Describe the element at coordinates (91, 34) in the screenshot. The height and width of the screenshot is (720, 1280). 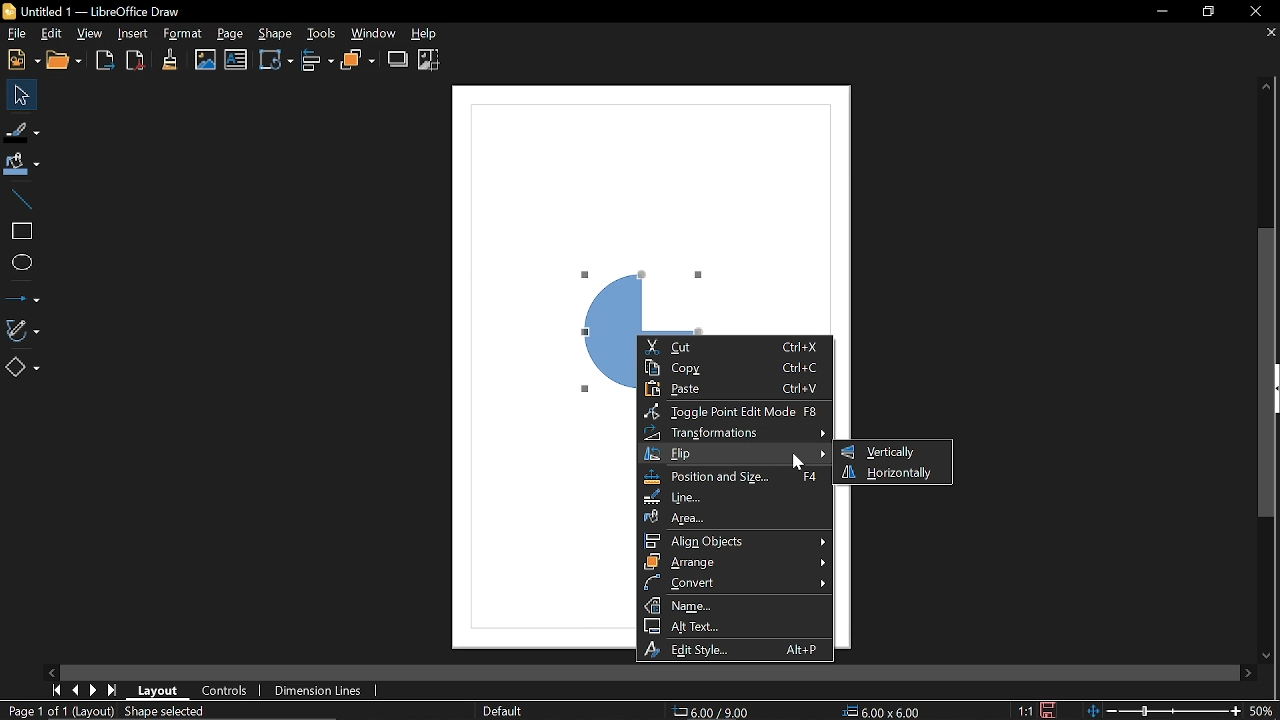
I see `View` at that location.